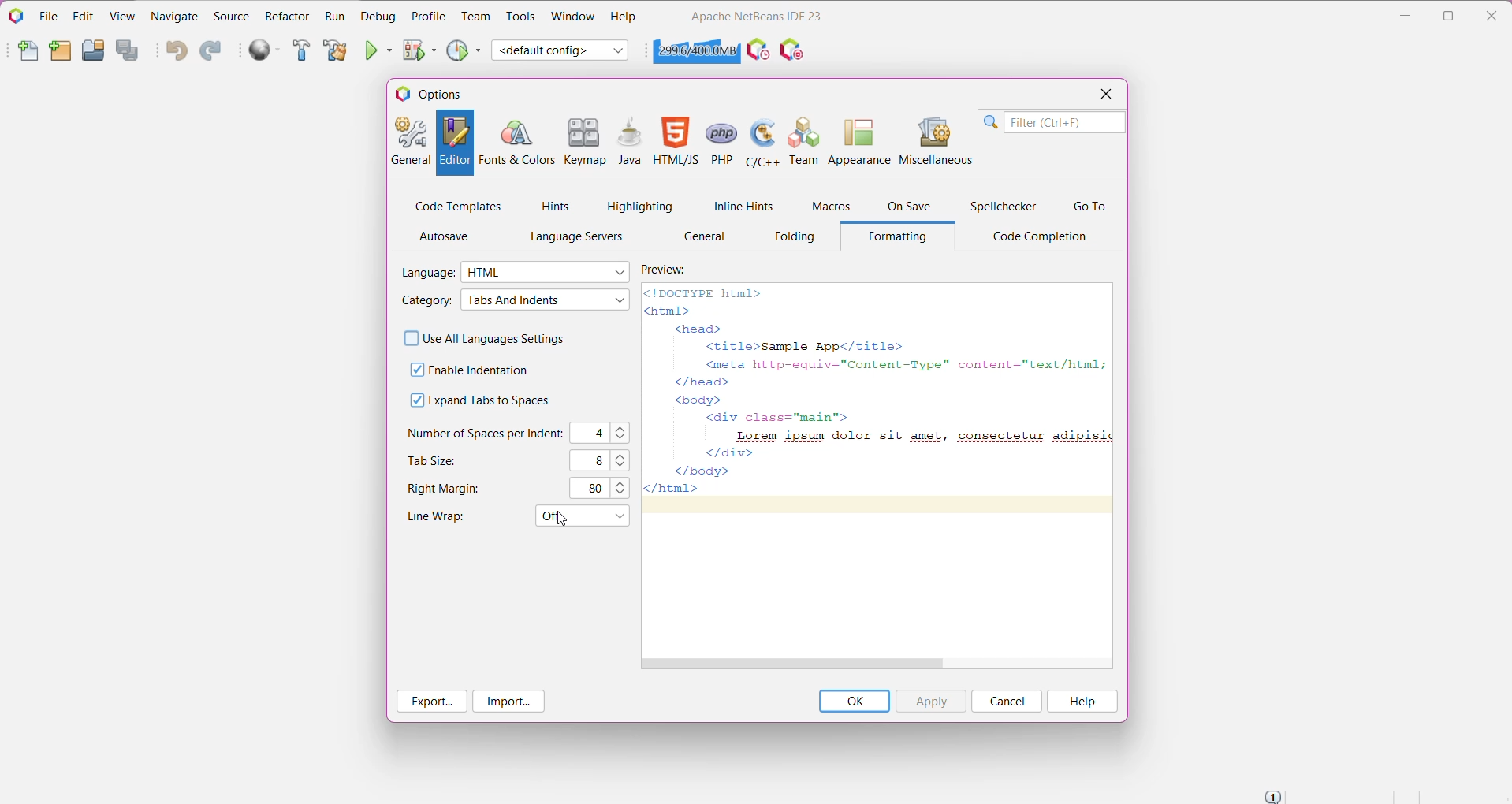 This screenshot has width=1512, height=804. What do you see at coordinates (721, 453) in the screenshot?
I see `</div>` at bounding box center [721, 453].